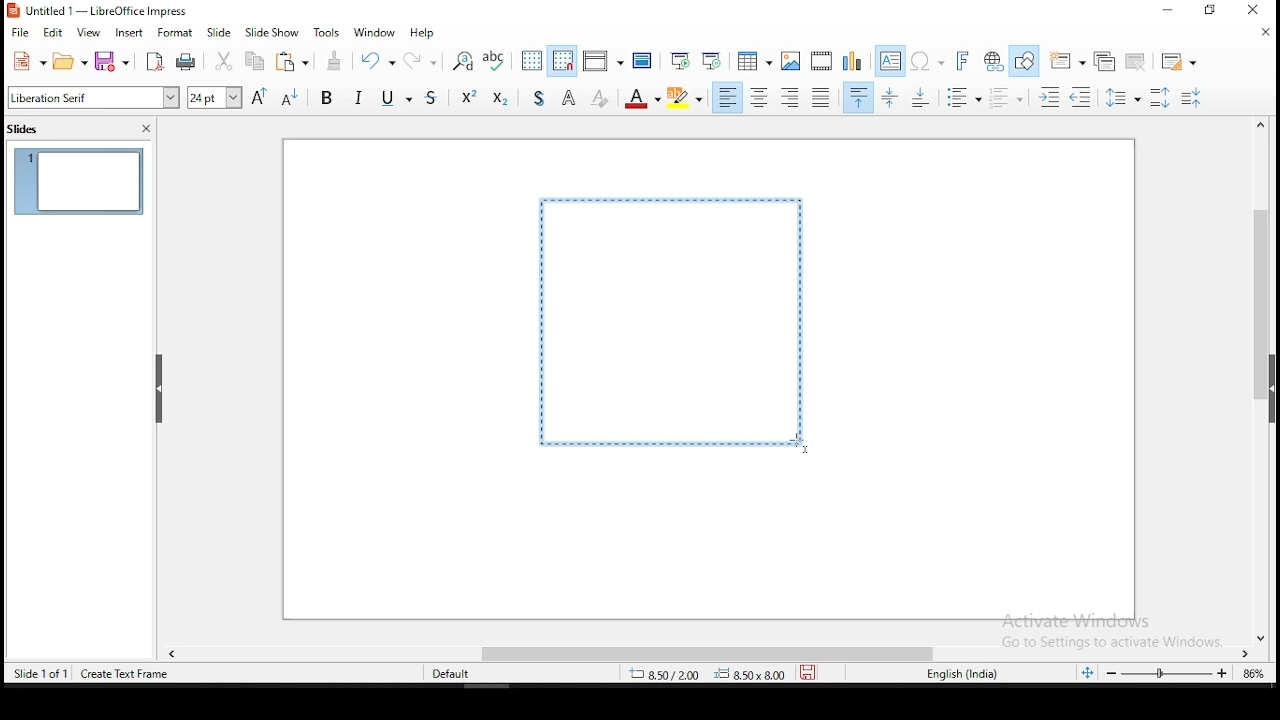 This screenshot has width=1280, height=720. What do you see at coordinates (749, 674) in the screenshot?
I see `0.00x0.00` at bounding box center [749, 674].